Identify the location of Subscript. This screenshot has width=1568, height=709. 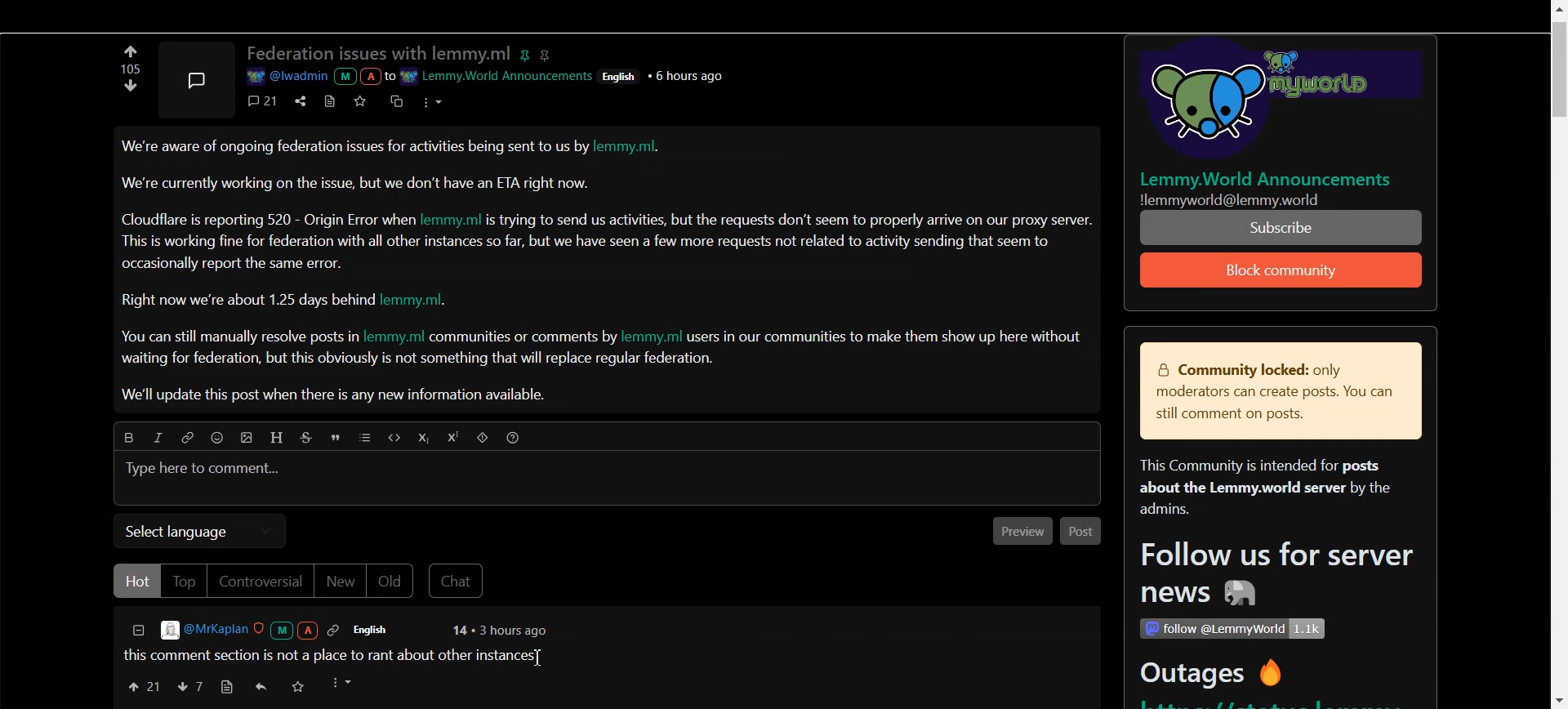
(422, 439).